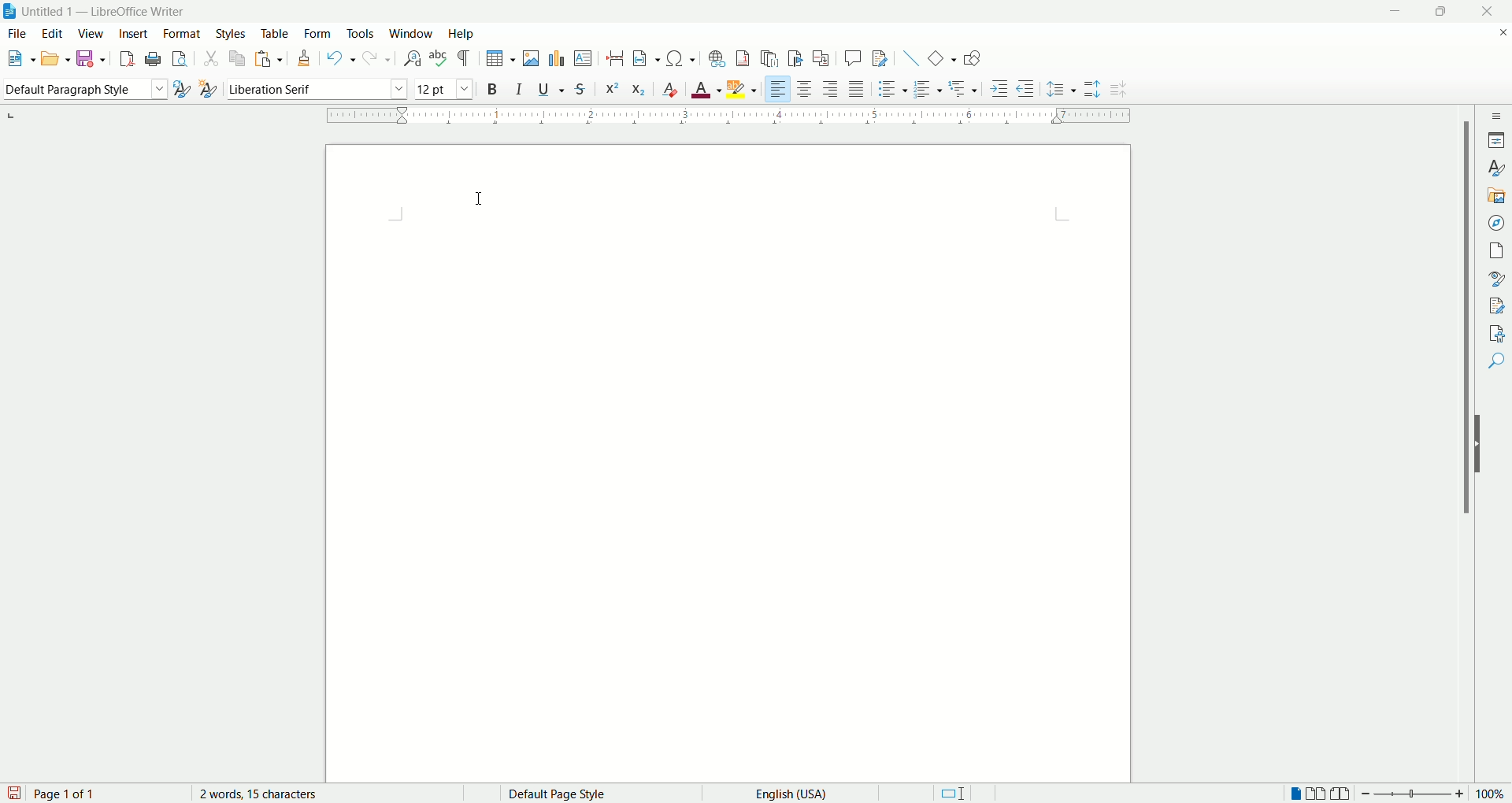 The image size is (1512, 803). I want to click on print, so click(151, 59).